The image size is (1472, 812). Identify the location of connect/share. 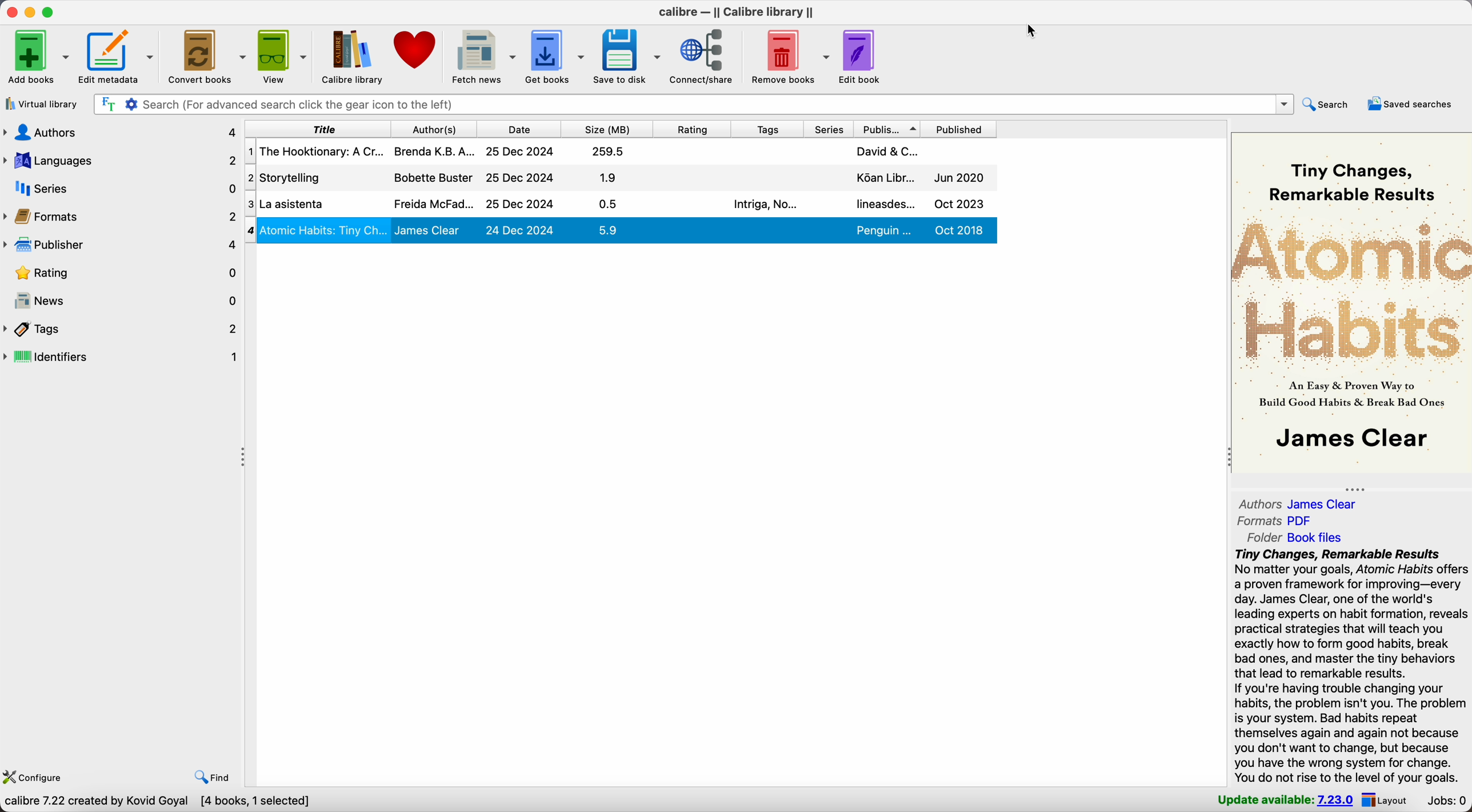
(703, 57).